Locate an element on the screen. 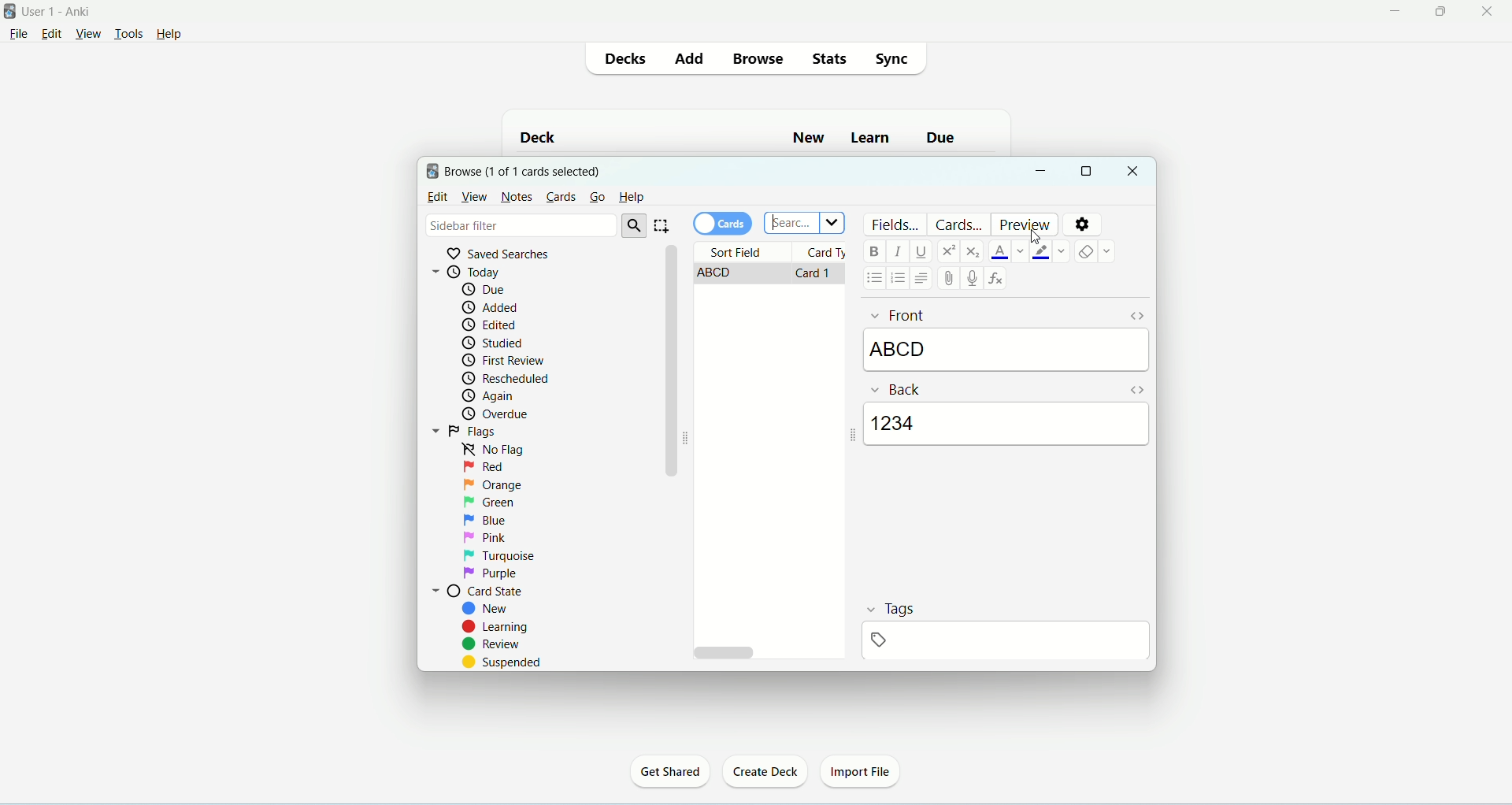 This screenshot has width=1512, height=805. unordered list is located at coordinates (873, 278).